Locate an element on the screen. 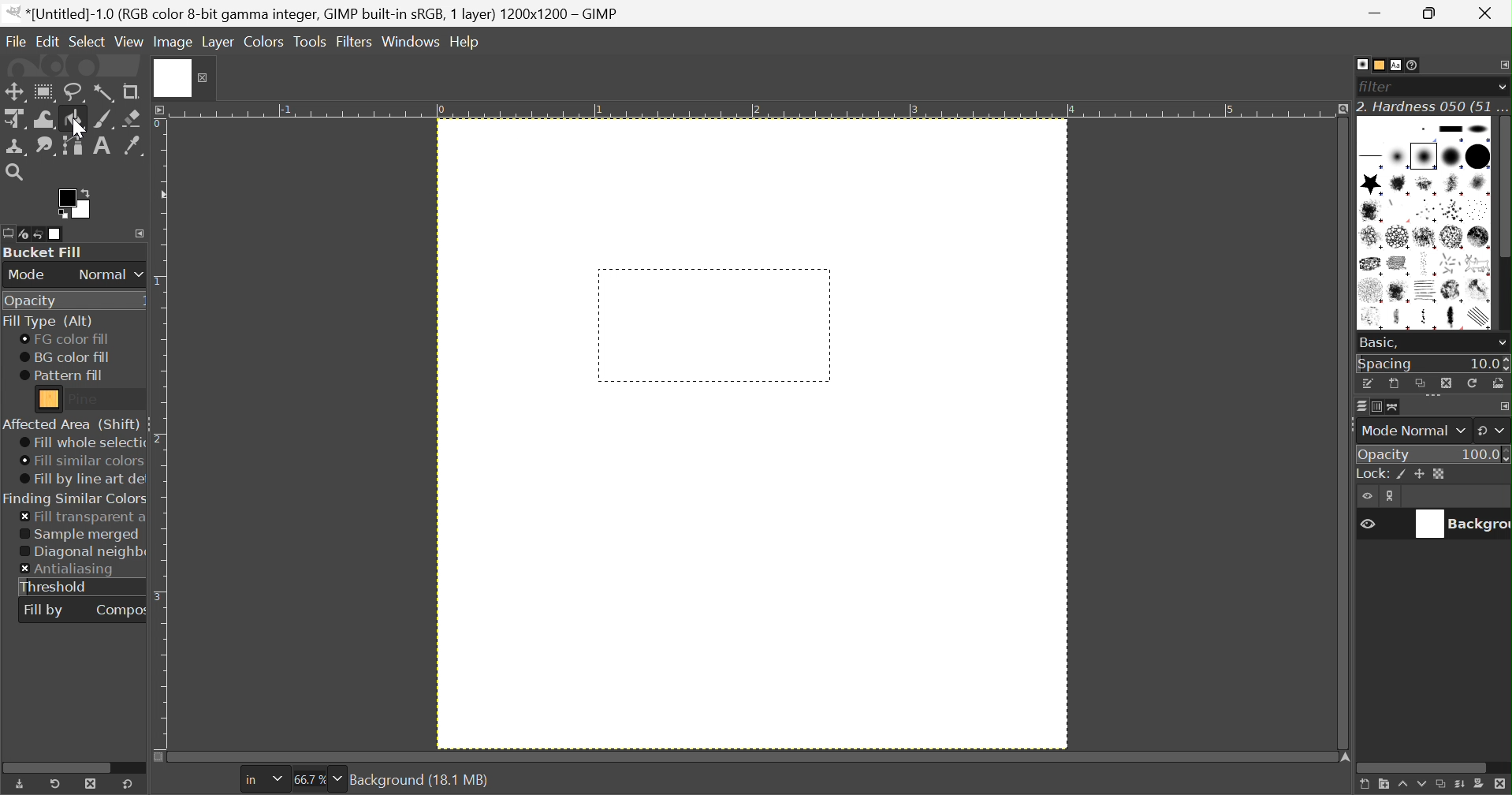 Image resolution: width=1512 pixels, height=795 pixels. Add a mask that allows non-destructive editing of transparency. is located at coordinates (1480, 786).